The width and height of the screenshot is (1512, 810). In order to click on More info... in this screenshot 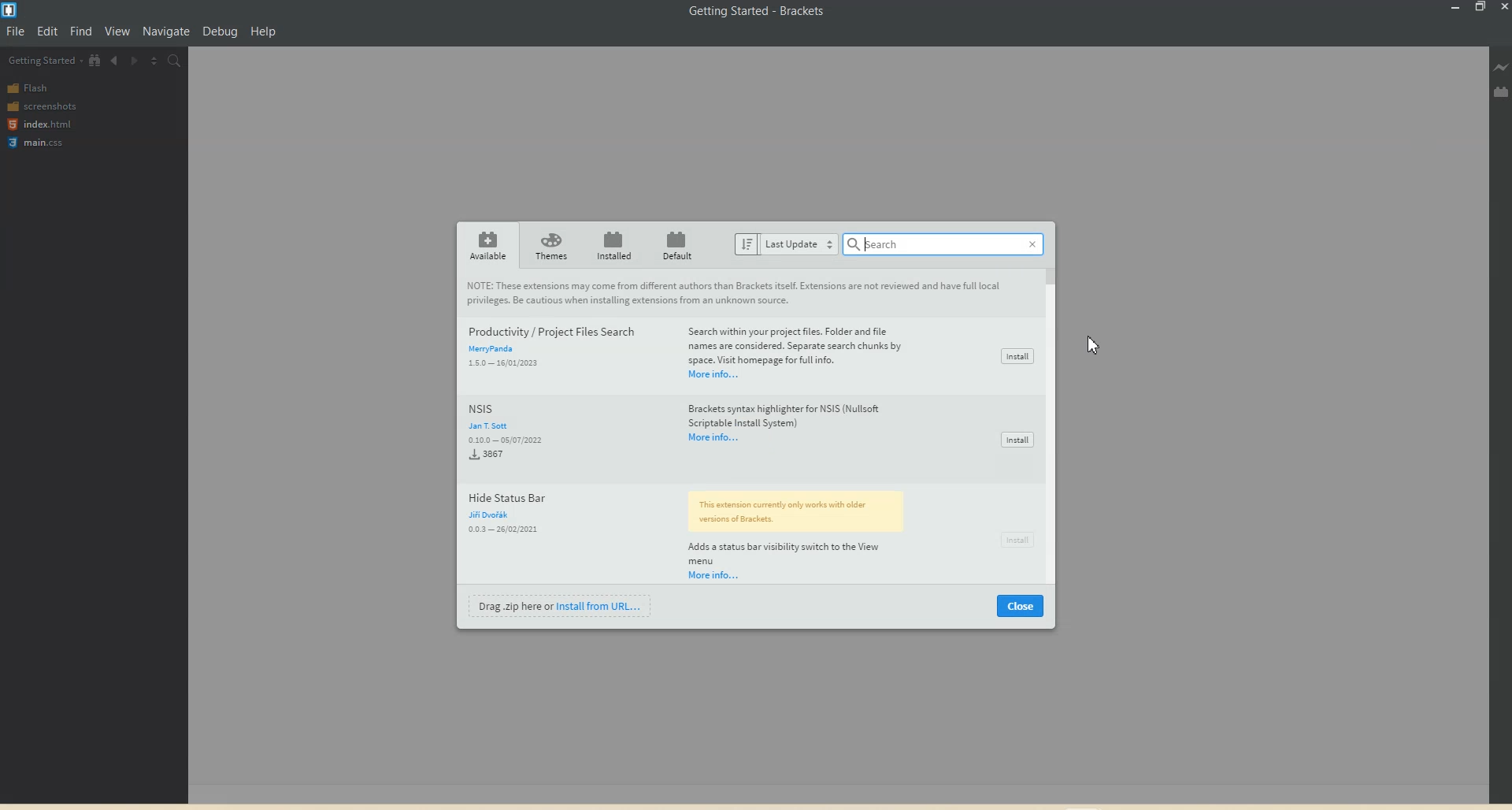, I will do `click(710, 575)`.